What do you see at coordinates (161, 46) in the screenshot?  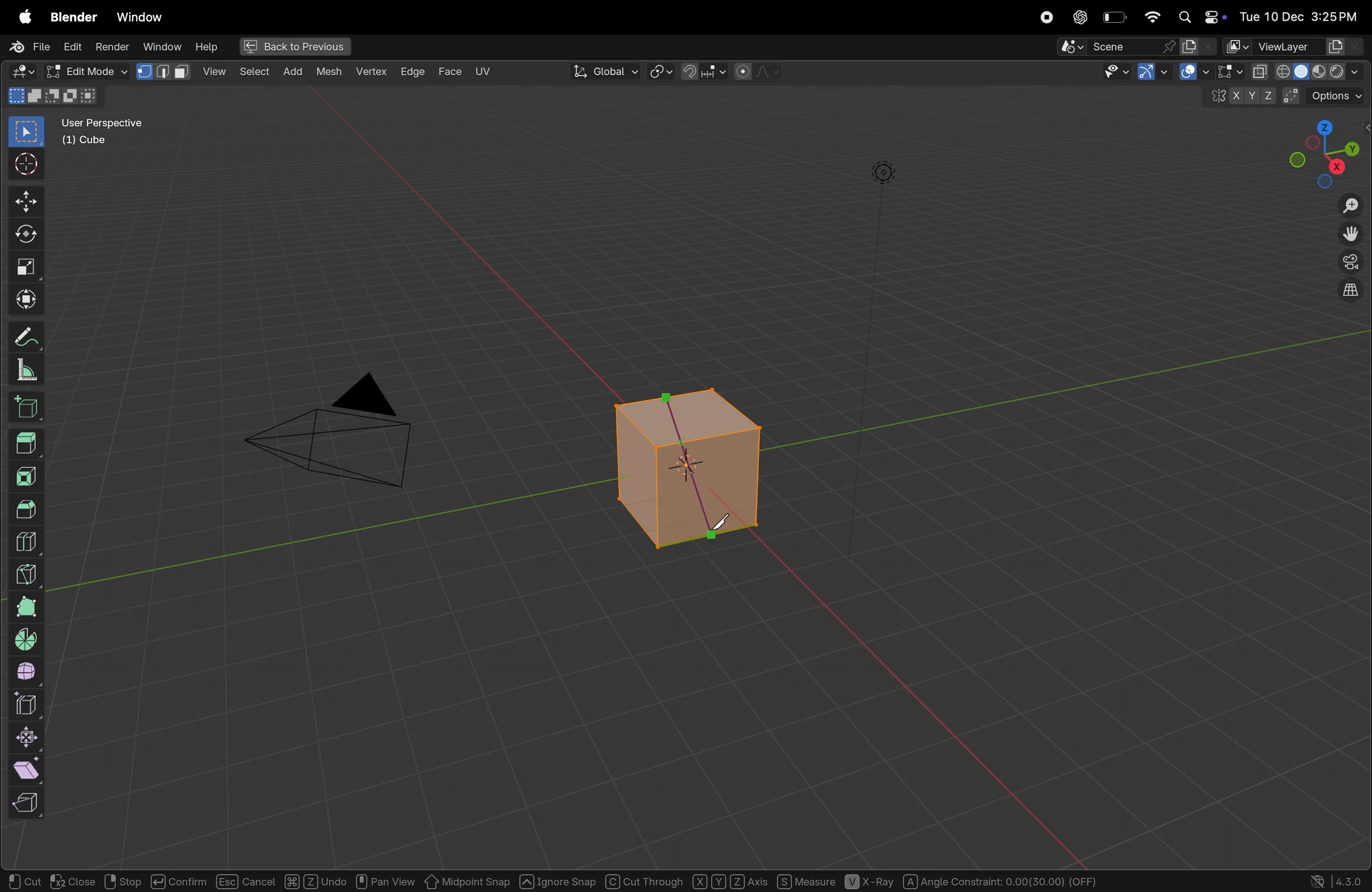 I see `Window` at bounding box center [161, 46].